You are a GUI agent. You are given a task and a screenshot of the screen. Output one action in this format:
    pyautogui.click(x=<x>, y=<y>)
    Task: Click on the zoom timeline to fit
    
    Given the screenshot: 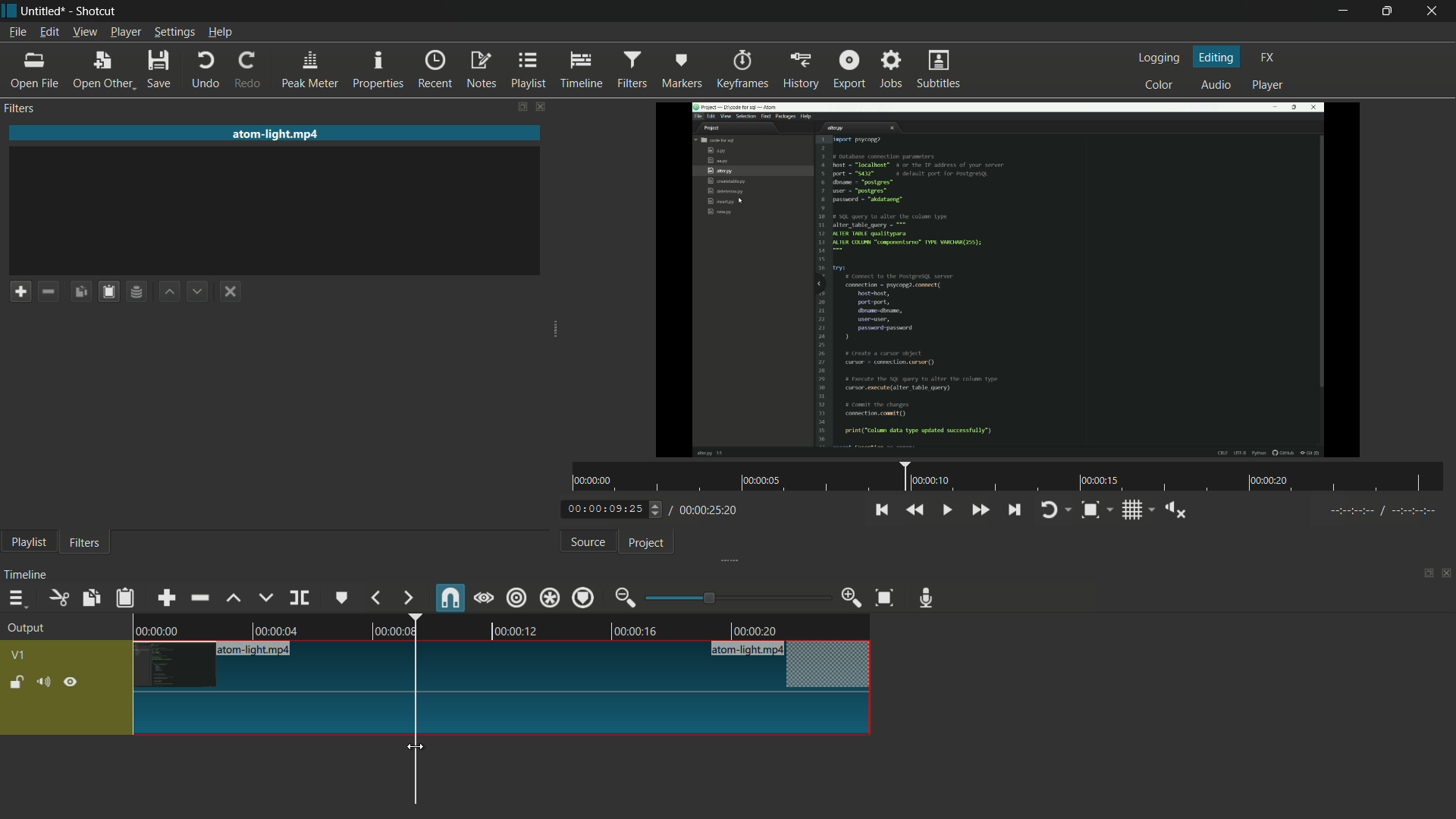 What is the action you would take?
    pyautogui.click(x=885, y=599)
    